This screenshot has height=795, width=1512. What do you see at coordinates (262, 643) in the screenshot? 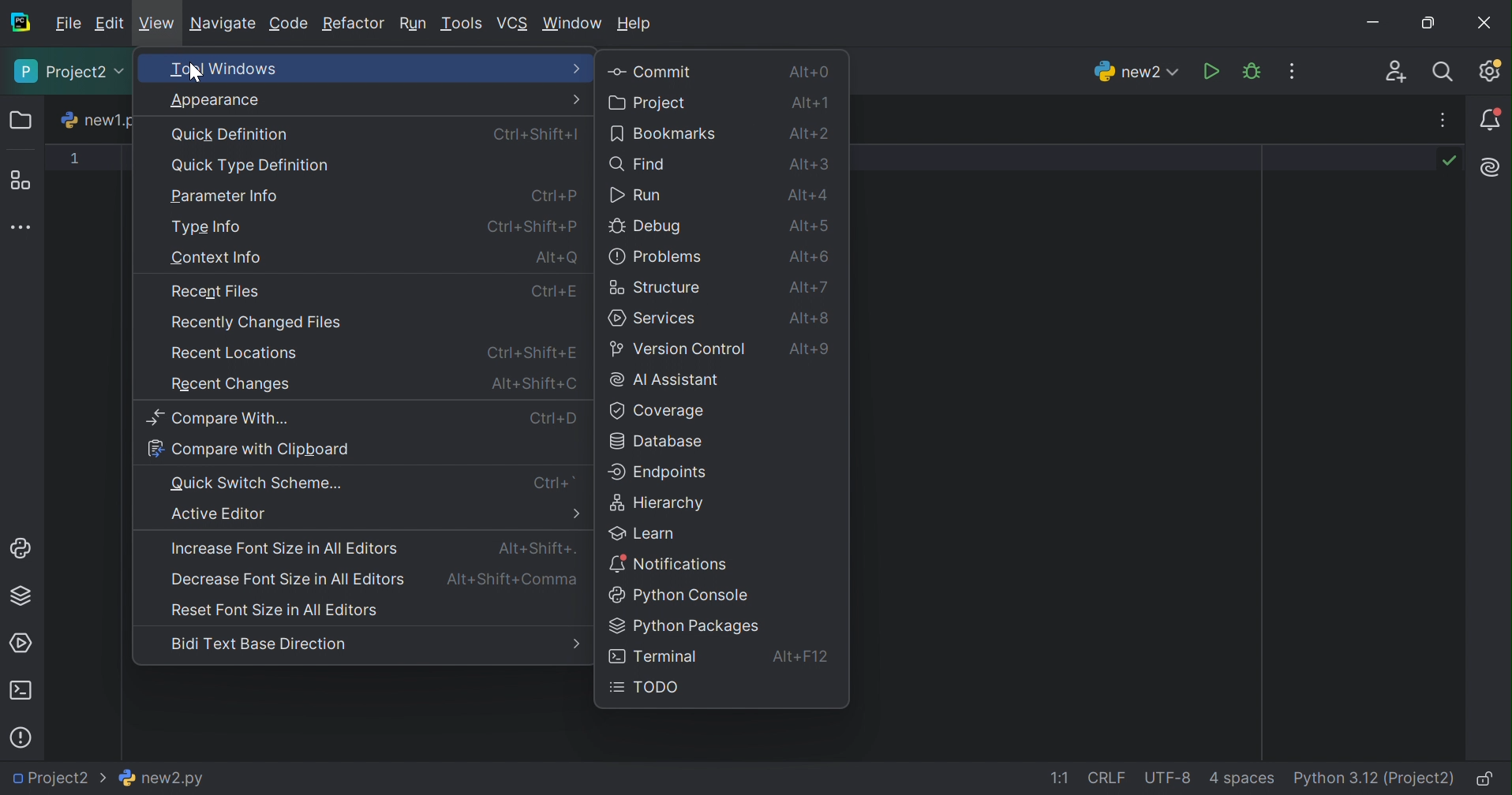
I see `Bidi text base direction` at bounding box center [262, 643].